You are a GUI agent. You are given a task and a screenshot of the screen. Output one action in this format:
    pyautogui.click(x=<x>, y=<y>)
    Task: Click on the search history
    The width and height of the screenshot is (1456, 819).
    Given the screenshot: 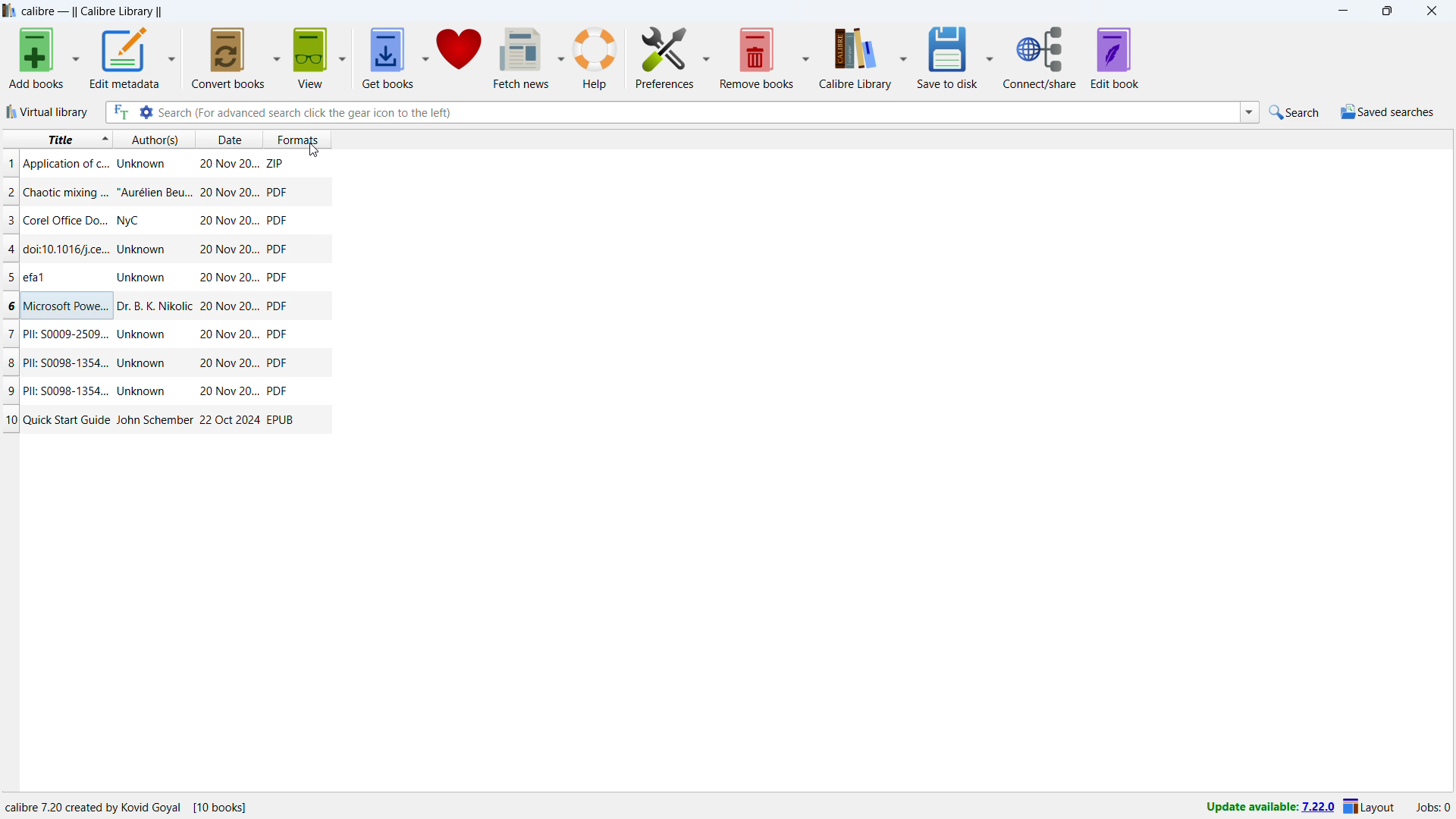 What is the action you would take?
    pyautogui.click(x=1249, y=114)
    